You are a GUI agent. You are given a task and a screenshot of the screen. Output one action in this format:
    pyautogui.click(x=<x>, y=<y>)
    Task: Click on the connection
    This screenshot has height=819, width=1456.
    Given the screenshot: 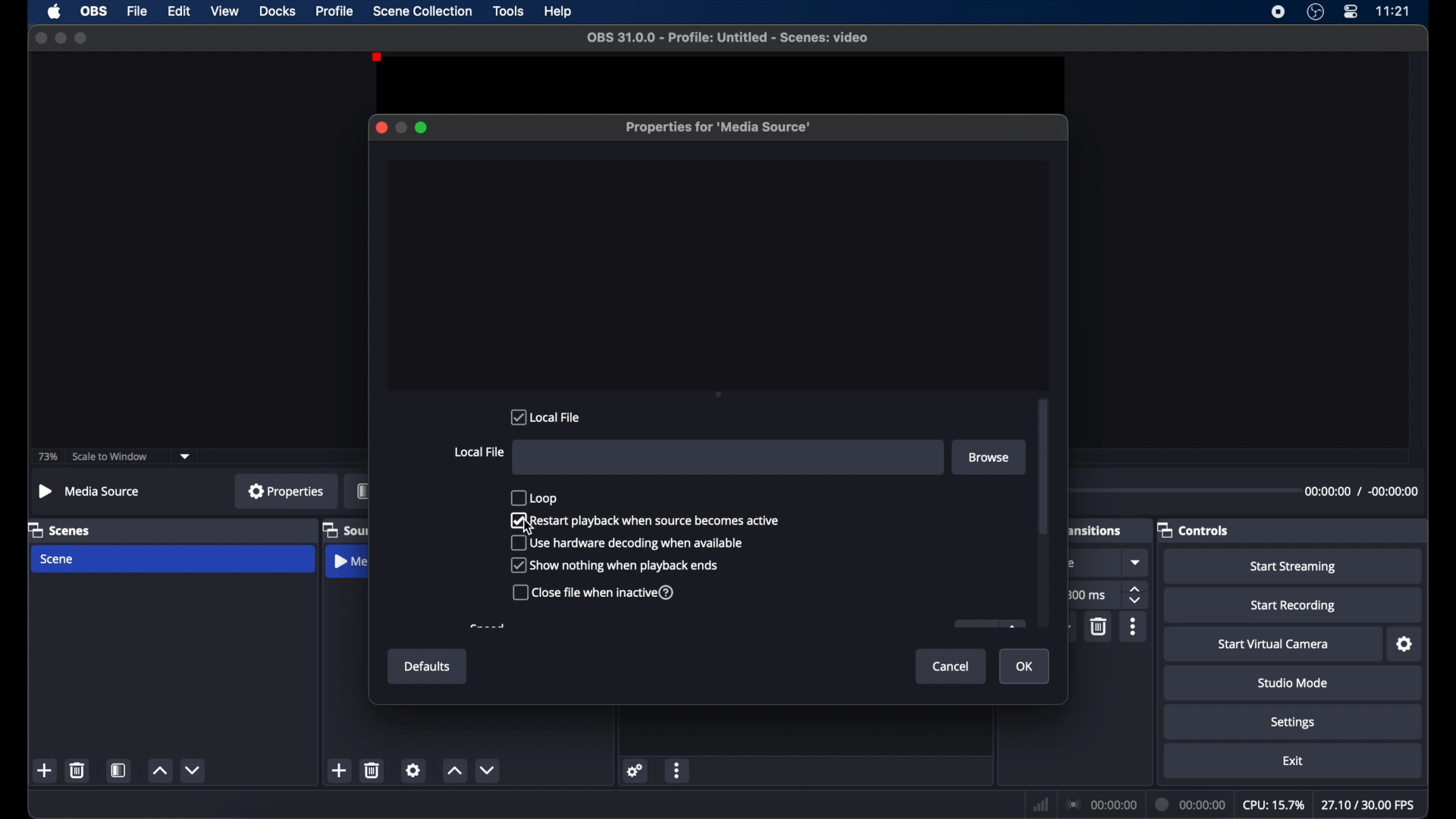 What is the action you would take?
    pyautogui.click(x=1103, y=805)
    